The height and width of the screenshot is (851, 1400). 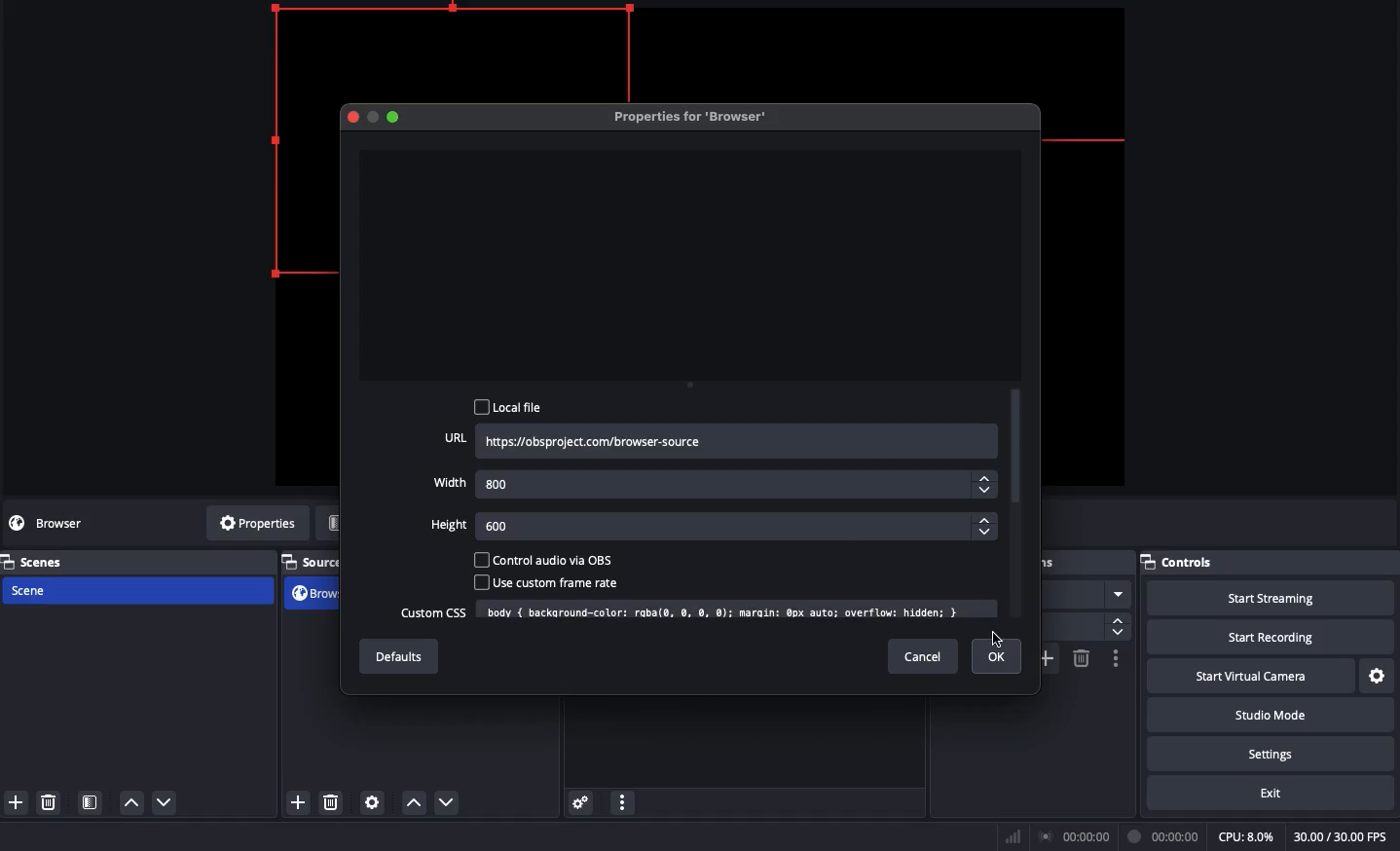 What do you see at coordinates (509, 407) in the screenshot?
I see `Local file` at bounding box center [509, 407].